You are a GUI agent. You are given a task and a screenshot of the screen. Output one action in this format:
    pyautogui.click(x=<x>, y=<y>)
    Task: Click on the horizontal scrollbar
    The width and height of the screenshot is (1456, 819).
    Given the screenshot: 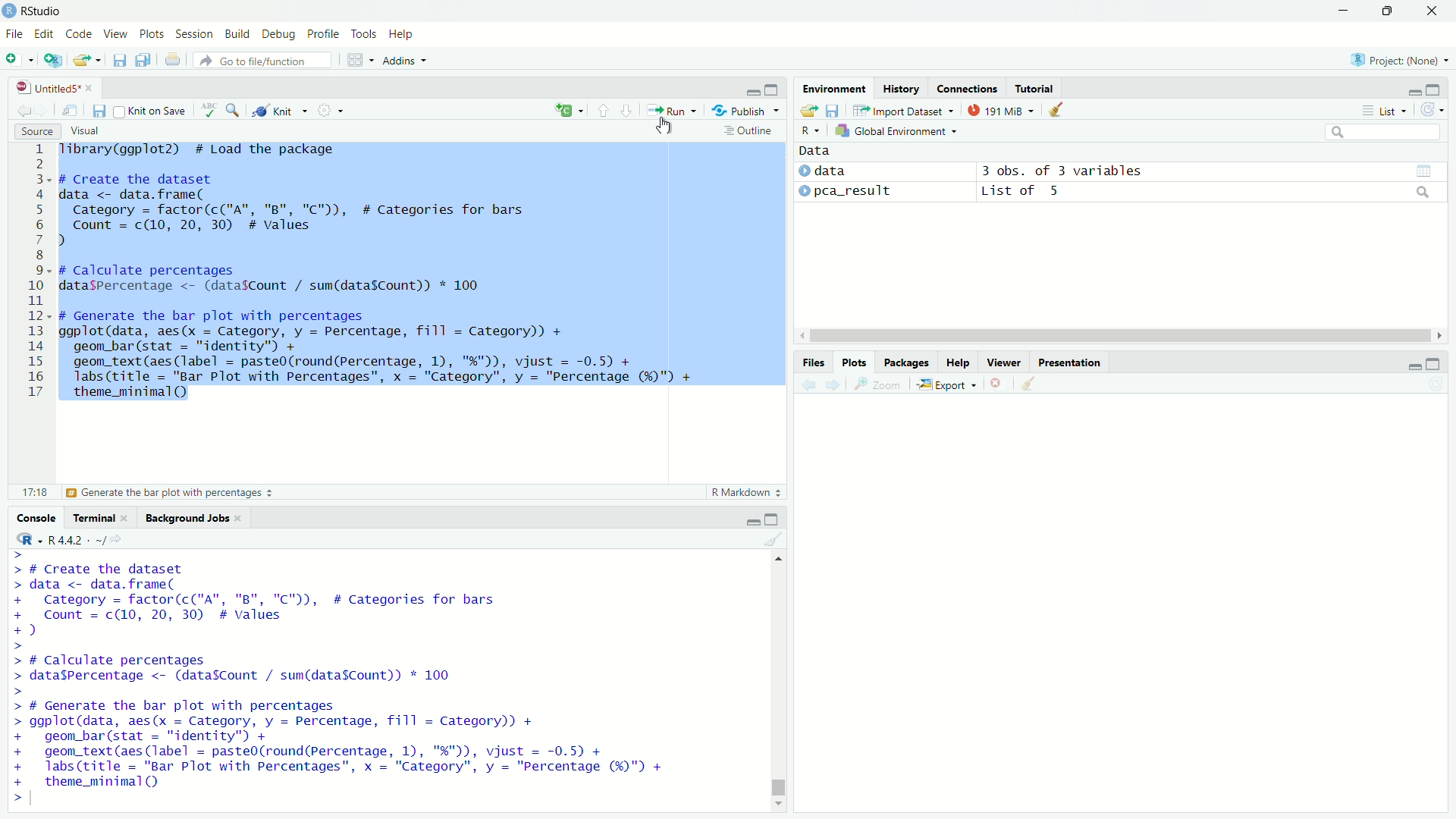 What is the action you would take?
    pyautogui.click(x=1122, y=337)
    